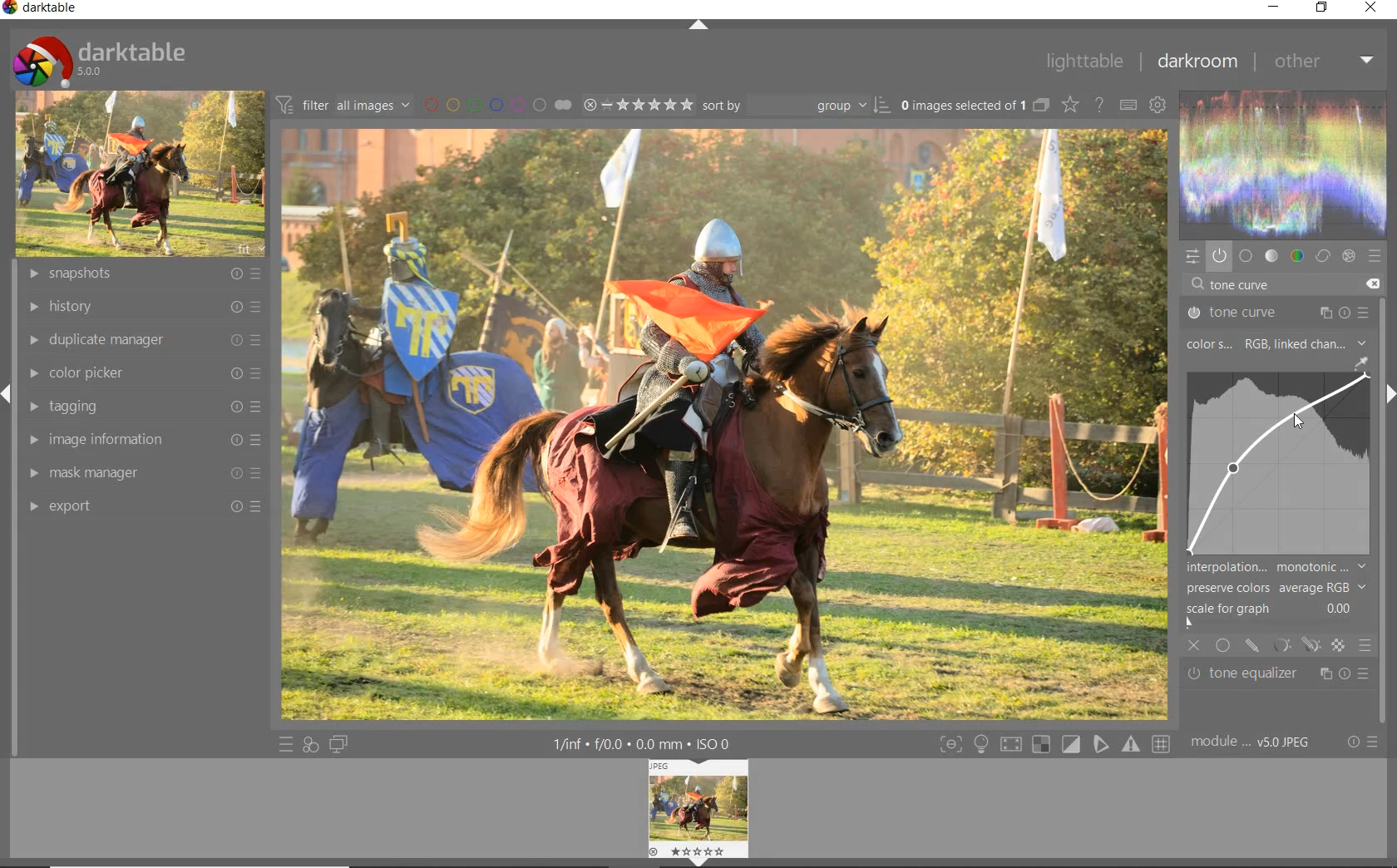 The height and width of the screenshot is (868, 1397). I want to click on toggle modes, so click(1051, 744).